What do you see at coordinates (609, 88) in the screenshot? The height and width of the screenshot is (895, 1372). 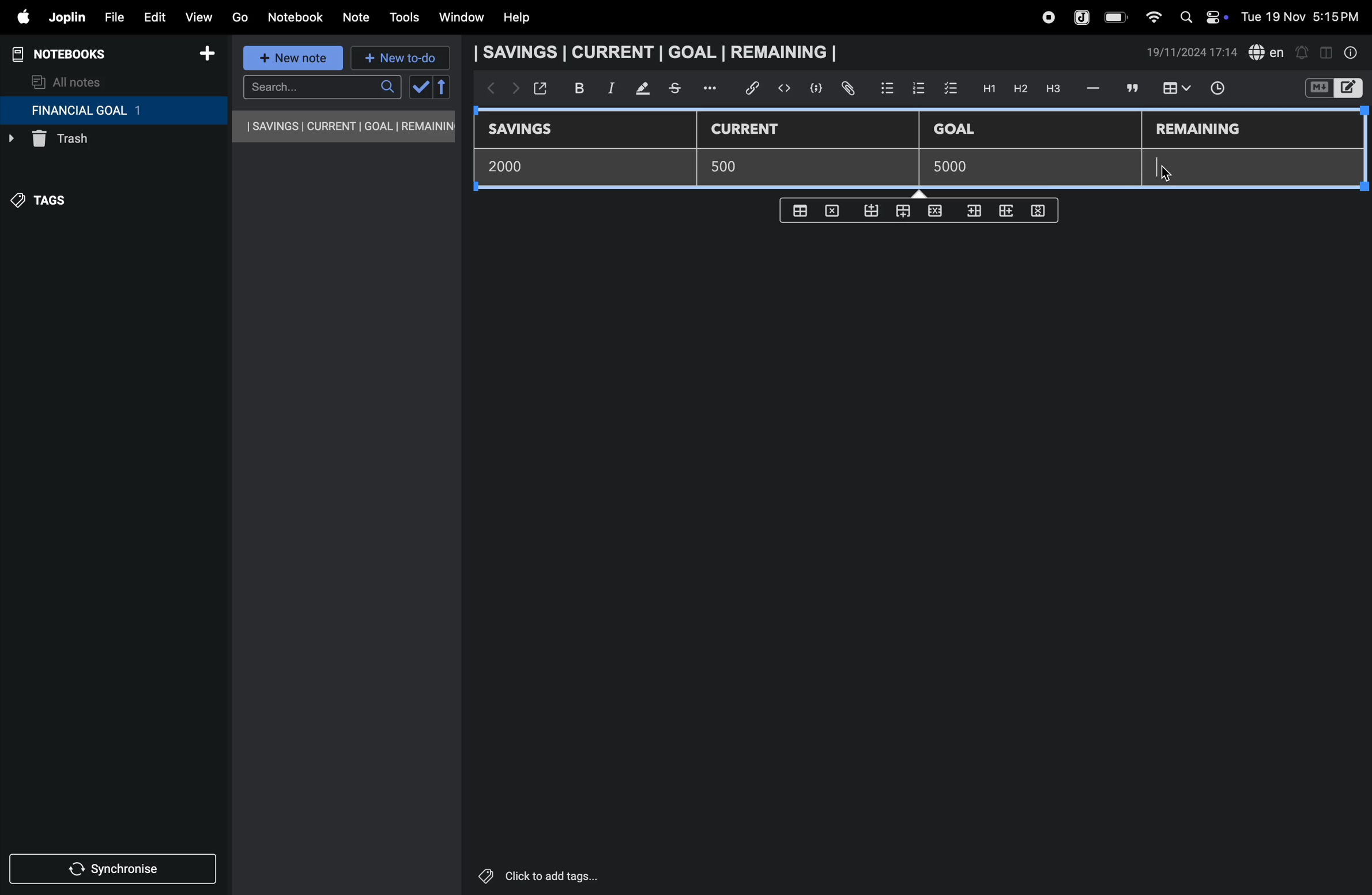 I see `itallic` at bounding box center [609, 88].